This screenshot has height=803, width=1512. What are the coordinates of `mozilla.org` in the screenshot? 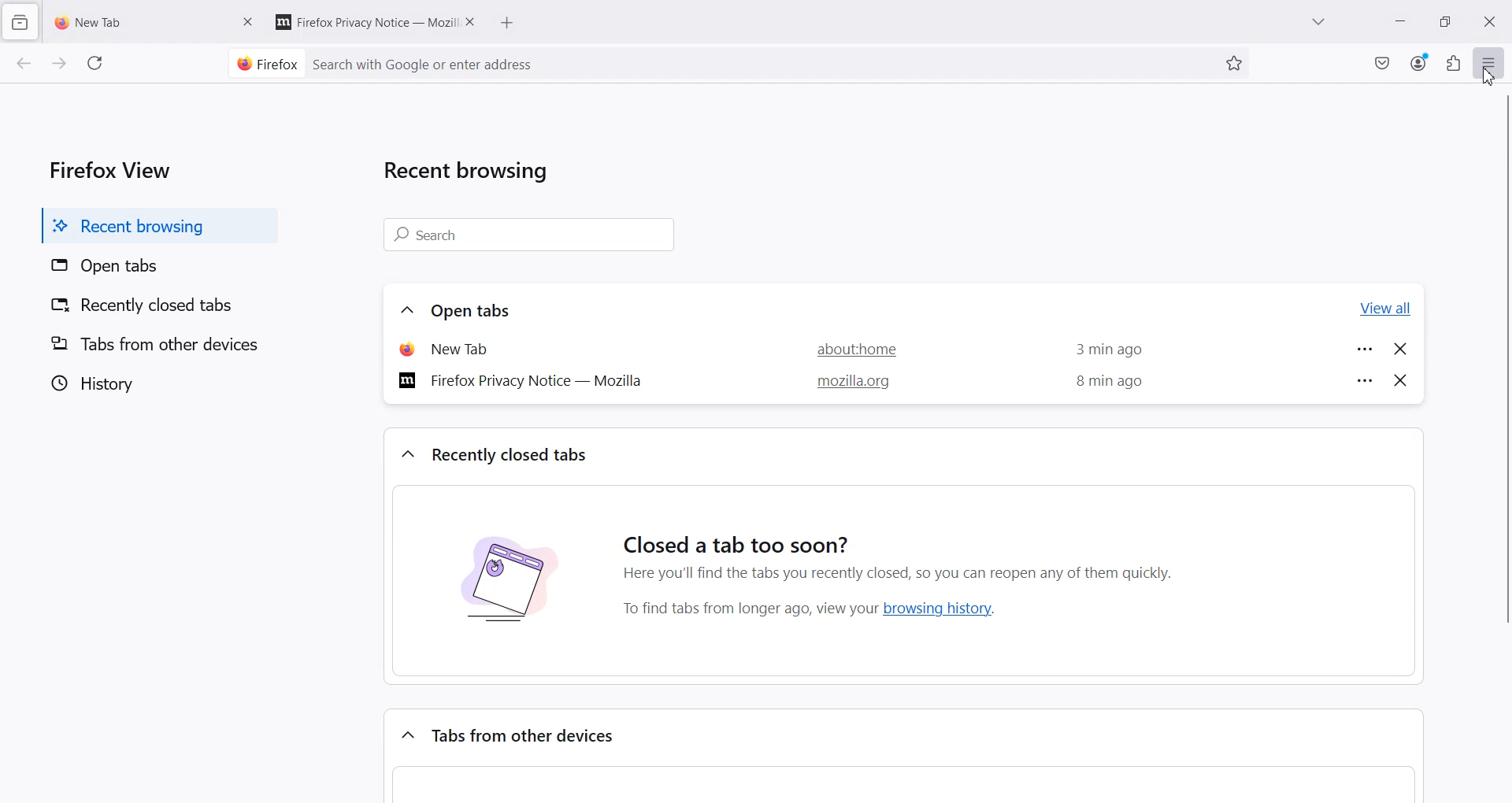 It's located at (849, 383).